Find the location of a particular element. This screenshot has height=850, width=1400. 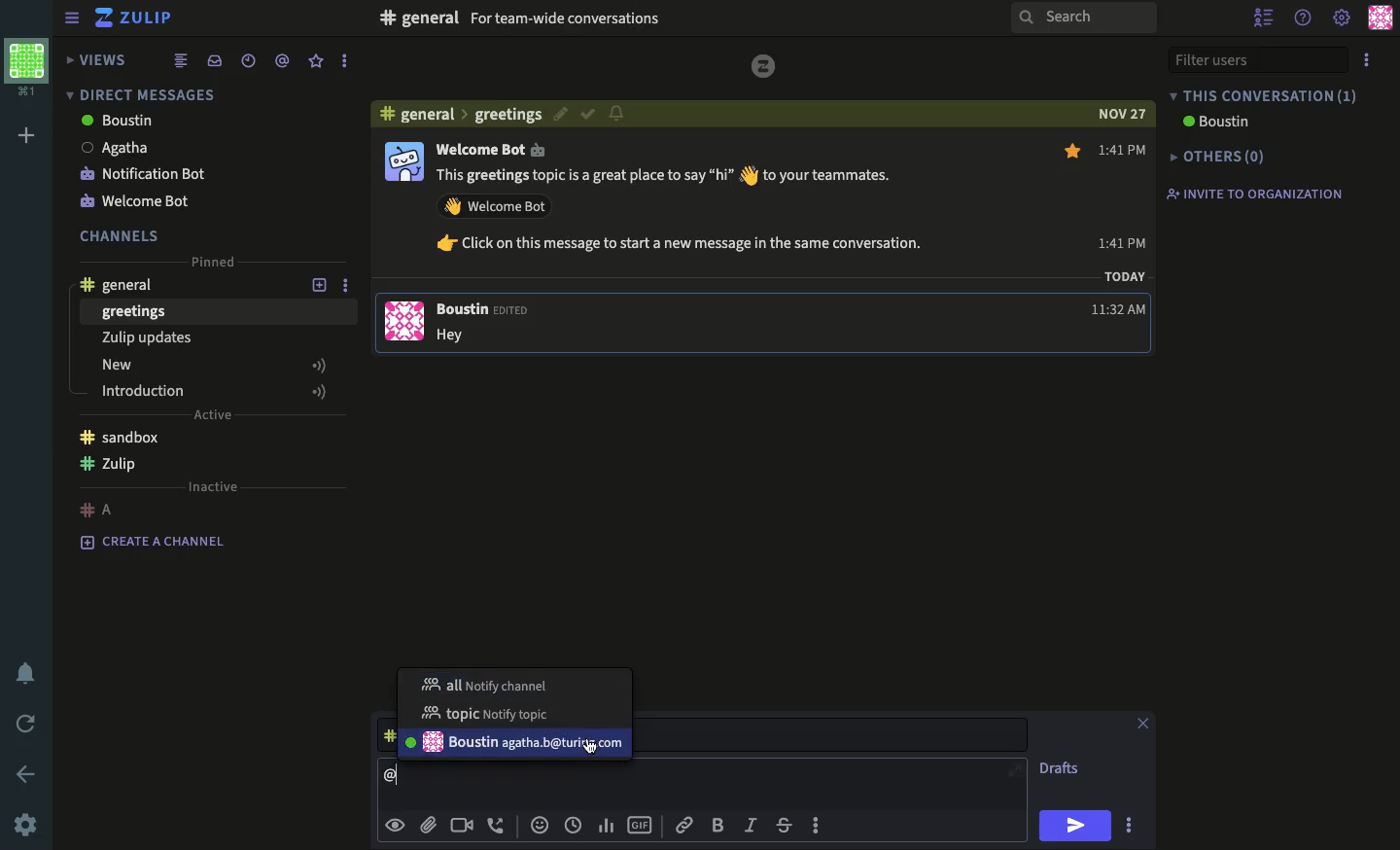

logo is located at coordinates (764, 66).